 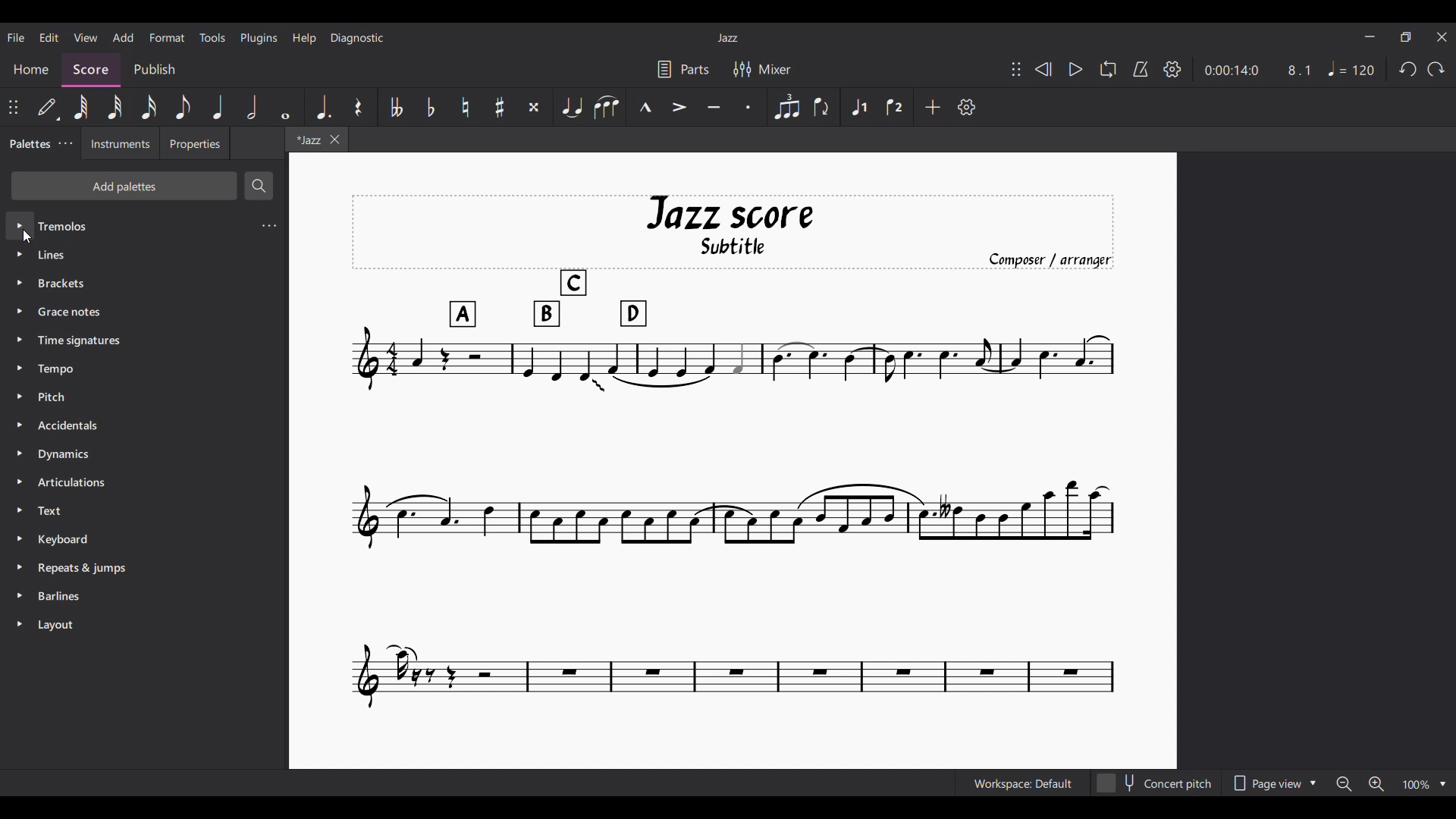 I want to click on Instruments, so click(x=121, y=143).